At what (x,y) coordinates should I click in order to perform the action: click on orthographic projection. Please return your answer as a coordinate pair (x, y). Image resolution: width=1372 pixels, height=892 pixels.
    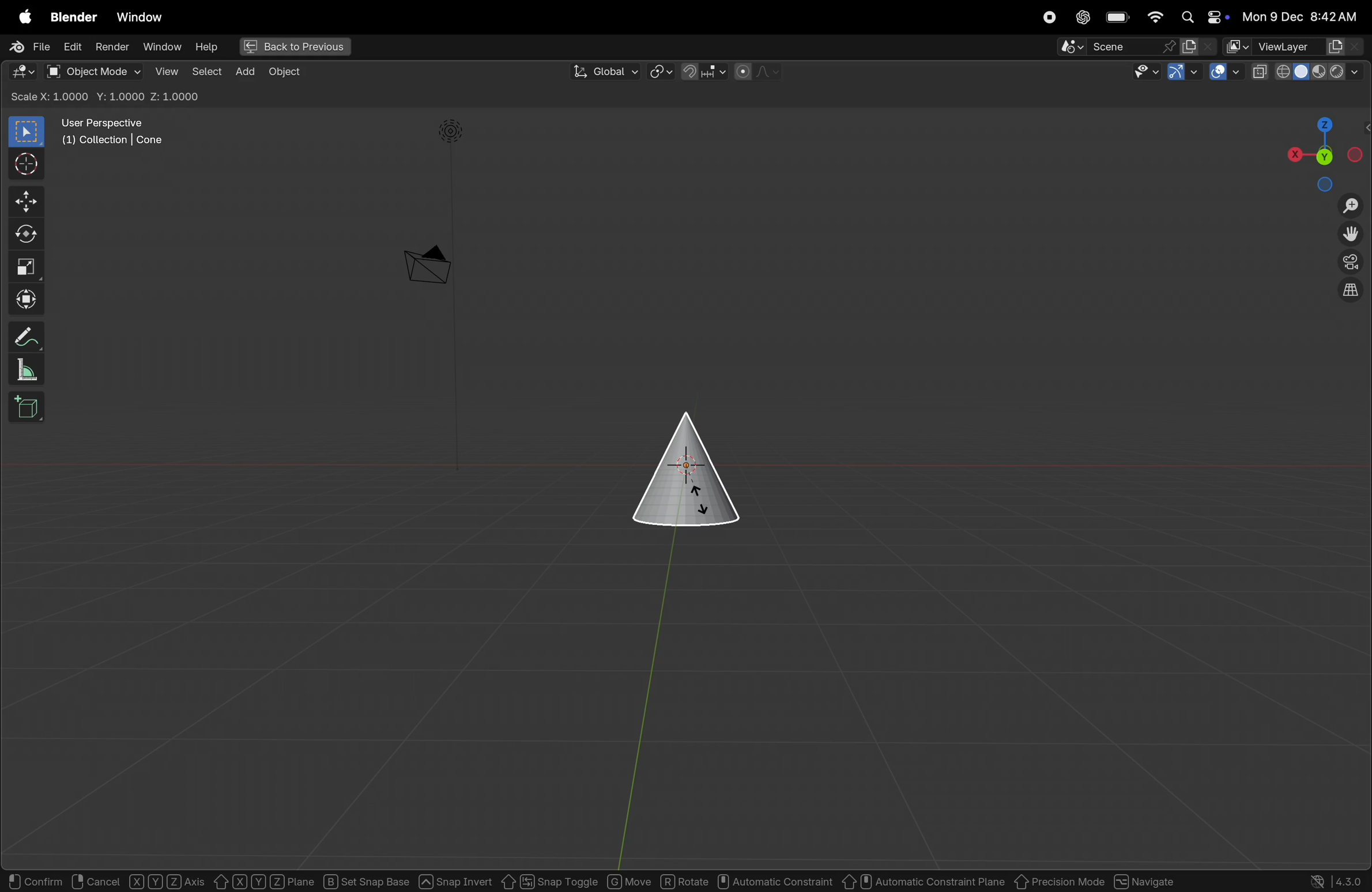
    Looking at the image, I should click on (1352, 290).